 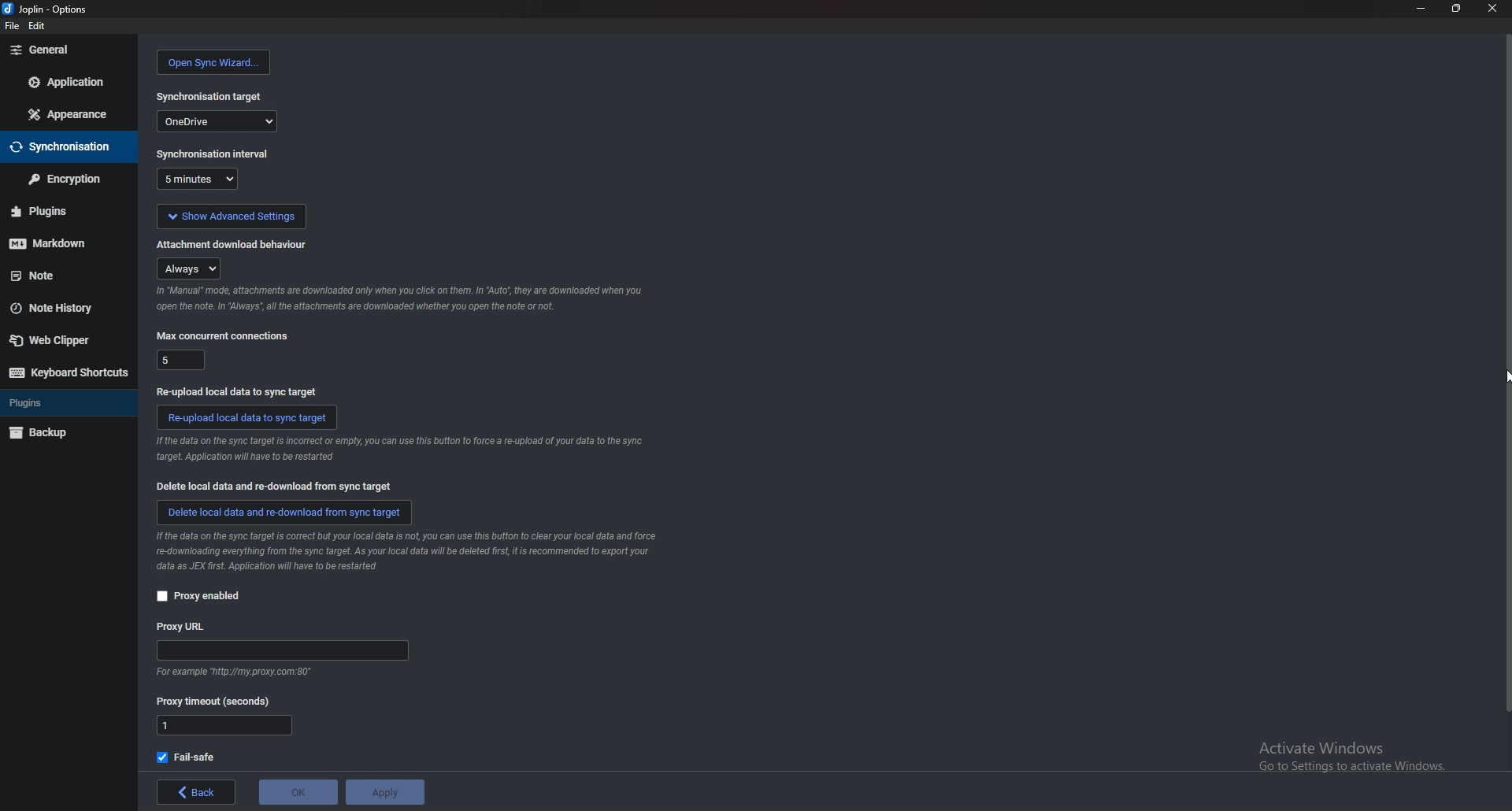 What do you see at coordinates (381, 792) in the screenshot?
I see `apply` at bounding box center [381, 792].